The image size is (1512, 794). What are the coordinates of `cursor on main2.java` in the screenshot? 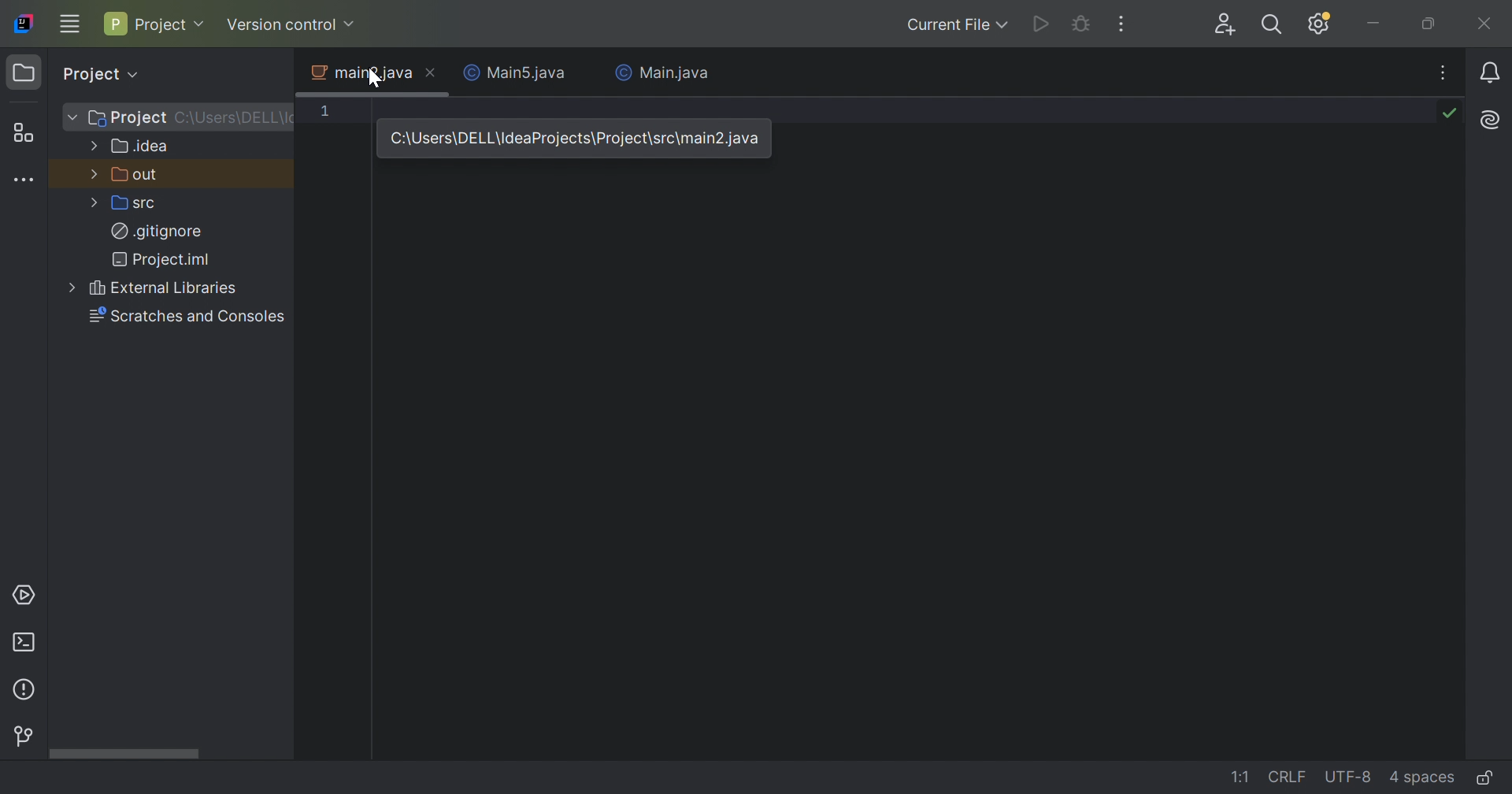 It's located at (377, 77).